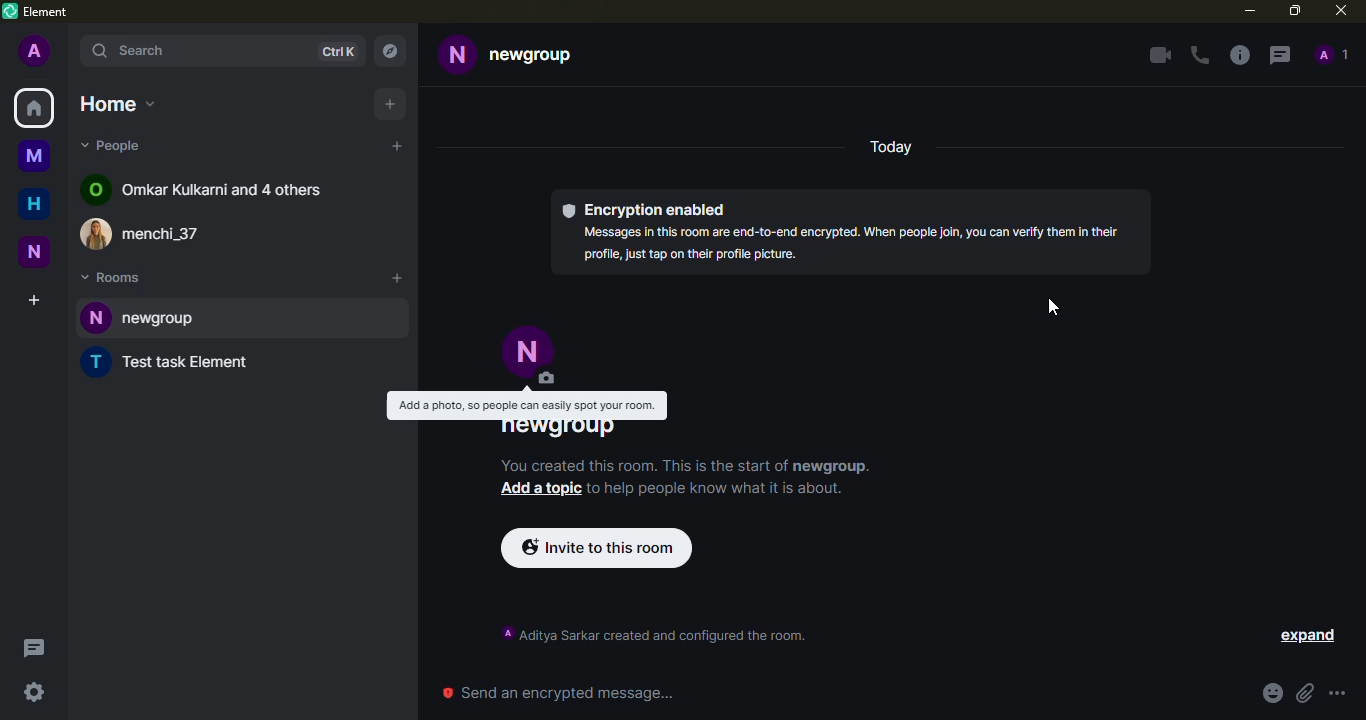  Describe the element at coordinates (1332, 54) in the screenshot. I see `People` at that location.